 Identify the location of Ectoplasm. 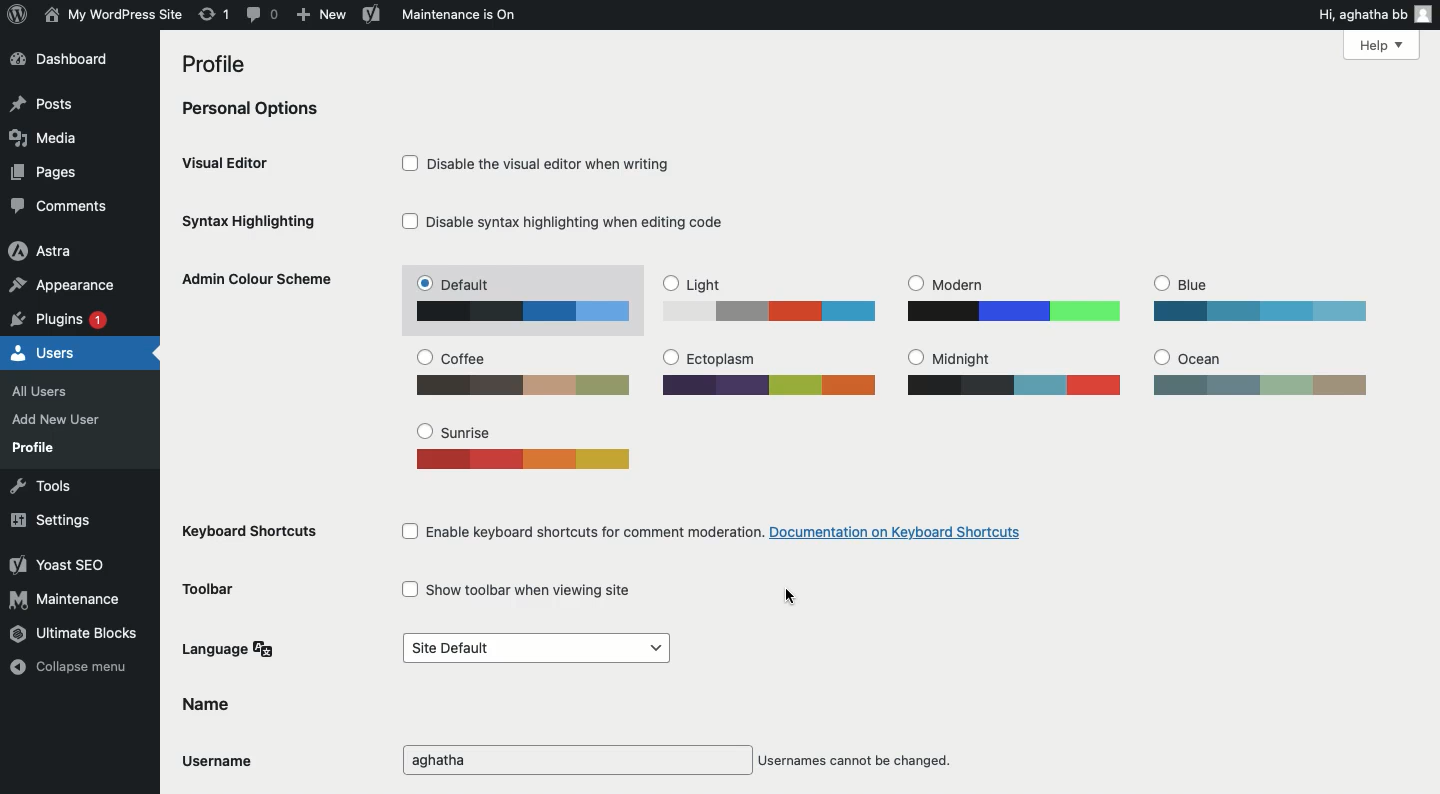
(769, 375).